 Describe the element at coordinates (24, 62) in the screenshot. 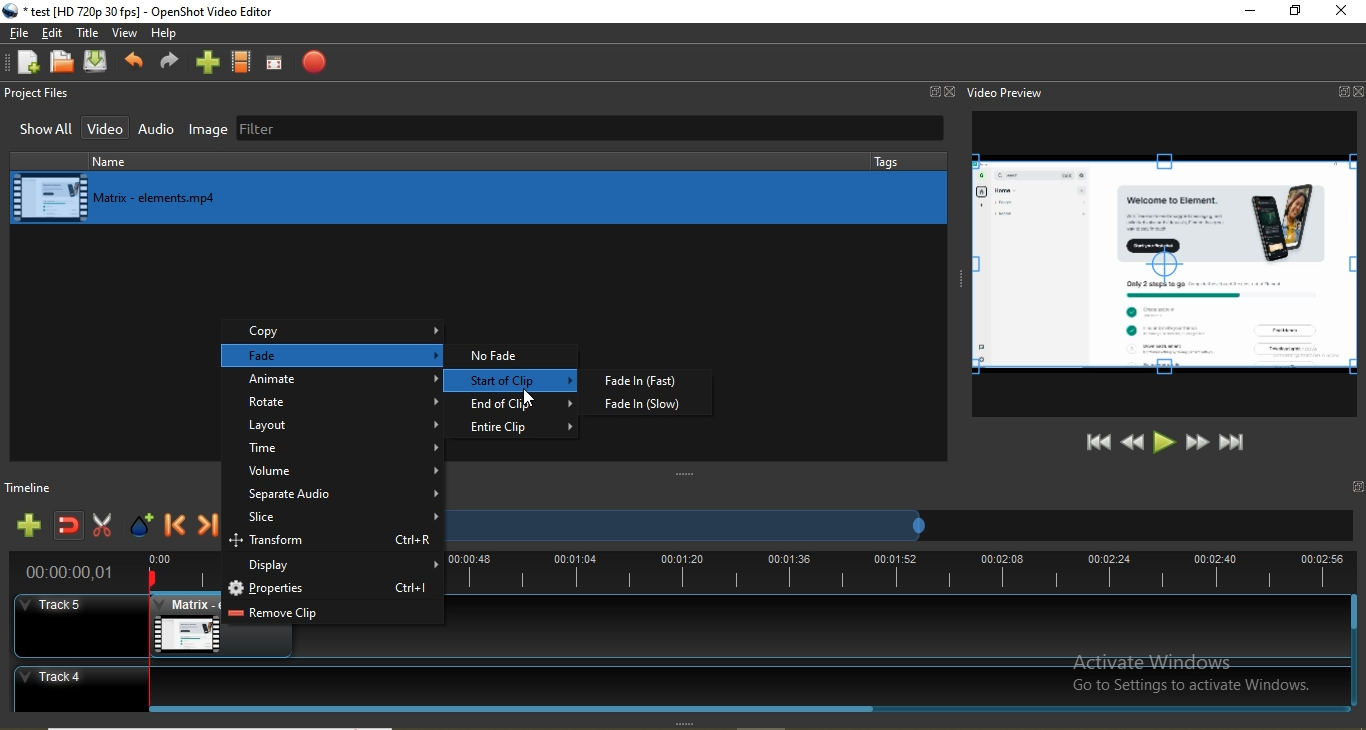

I see `New project` at that location.